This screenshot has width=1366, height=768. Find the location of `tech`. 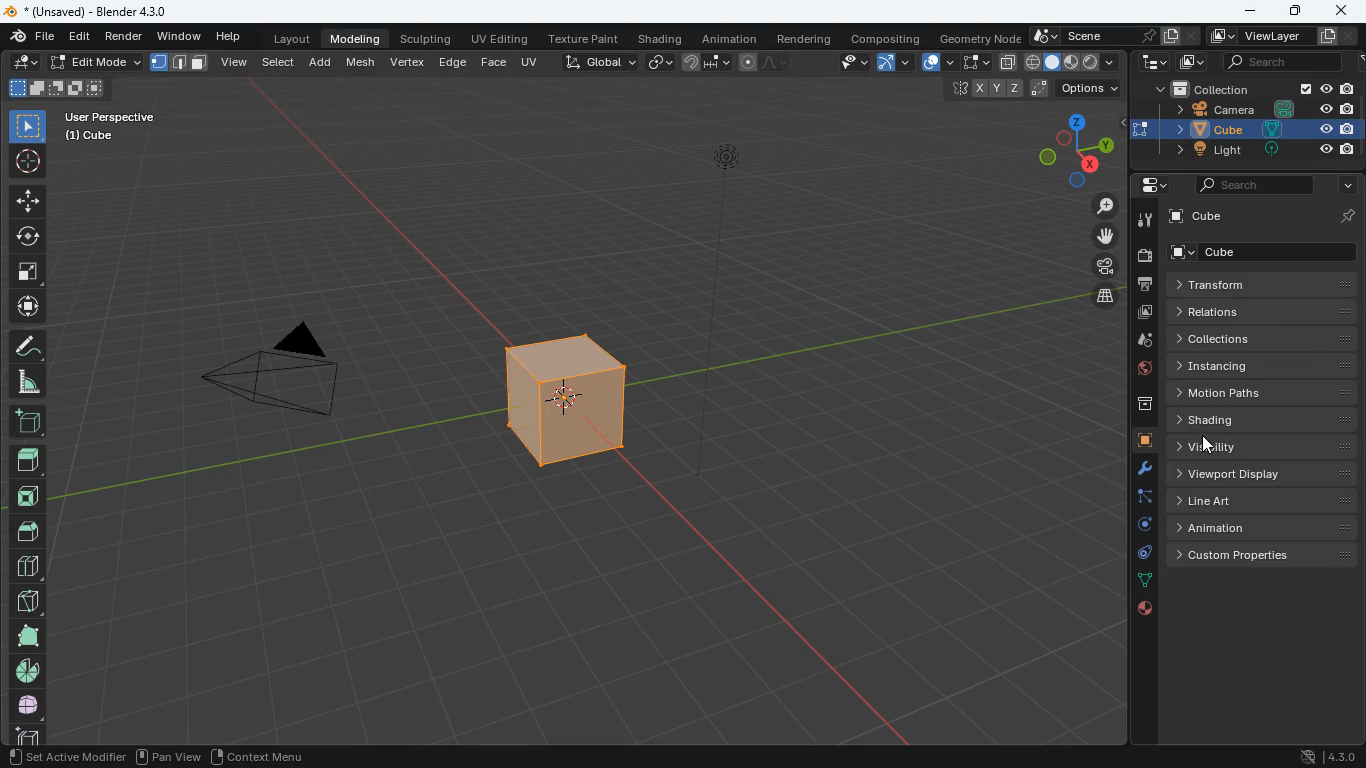

tech is located at coordinates (1153, 62).